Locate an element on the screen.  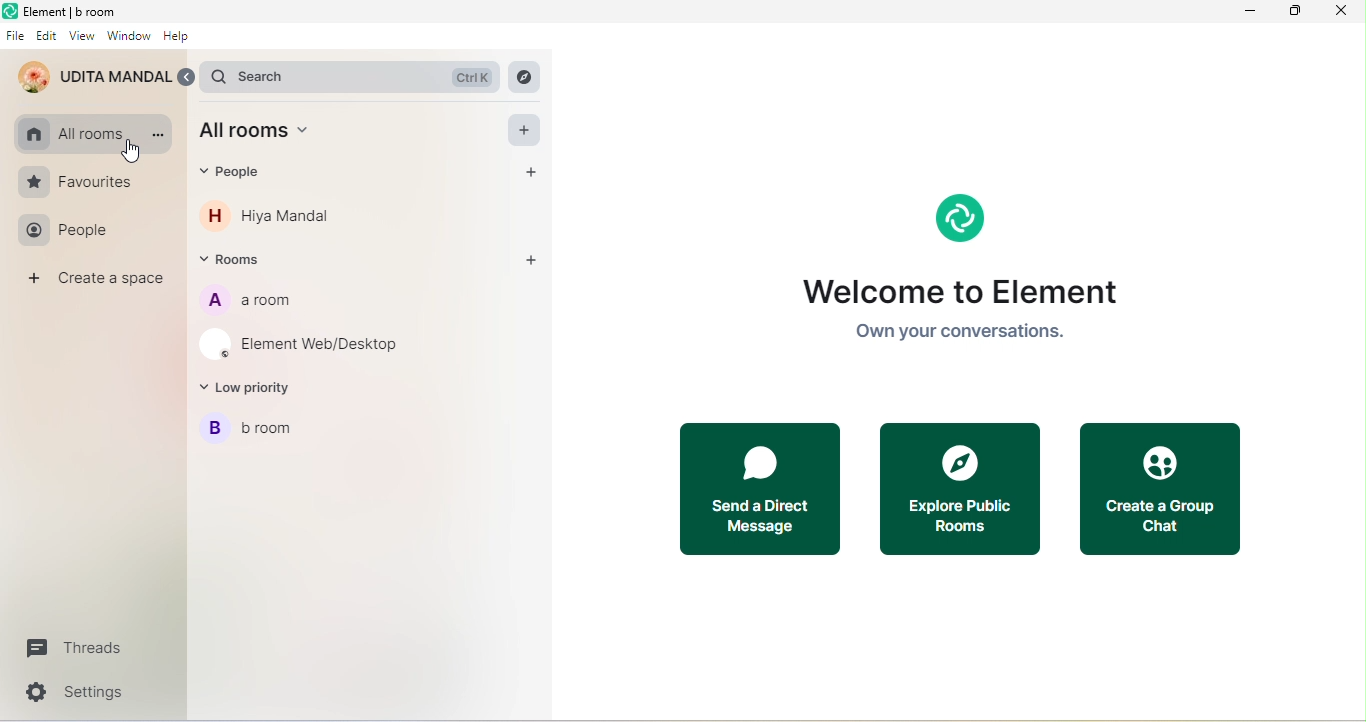
own your conversations is located at coordinates (963, 334).